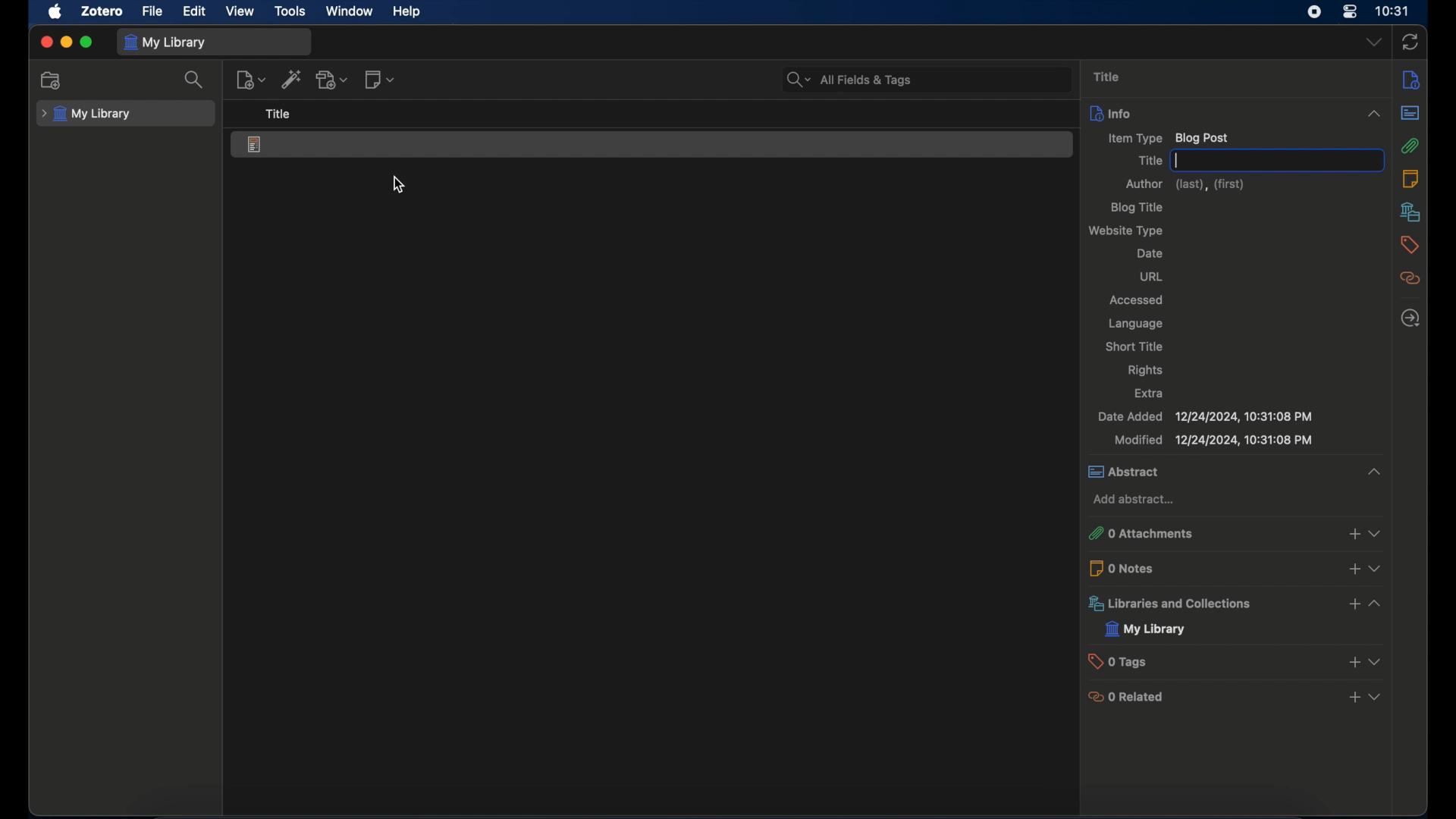  Describe the element at coordinates (1232, 534) in the screenshot. I see `0 attachments` at that location.